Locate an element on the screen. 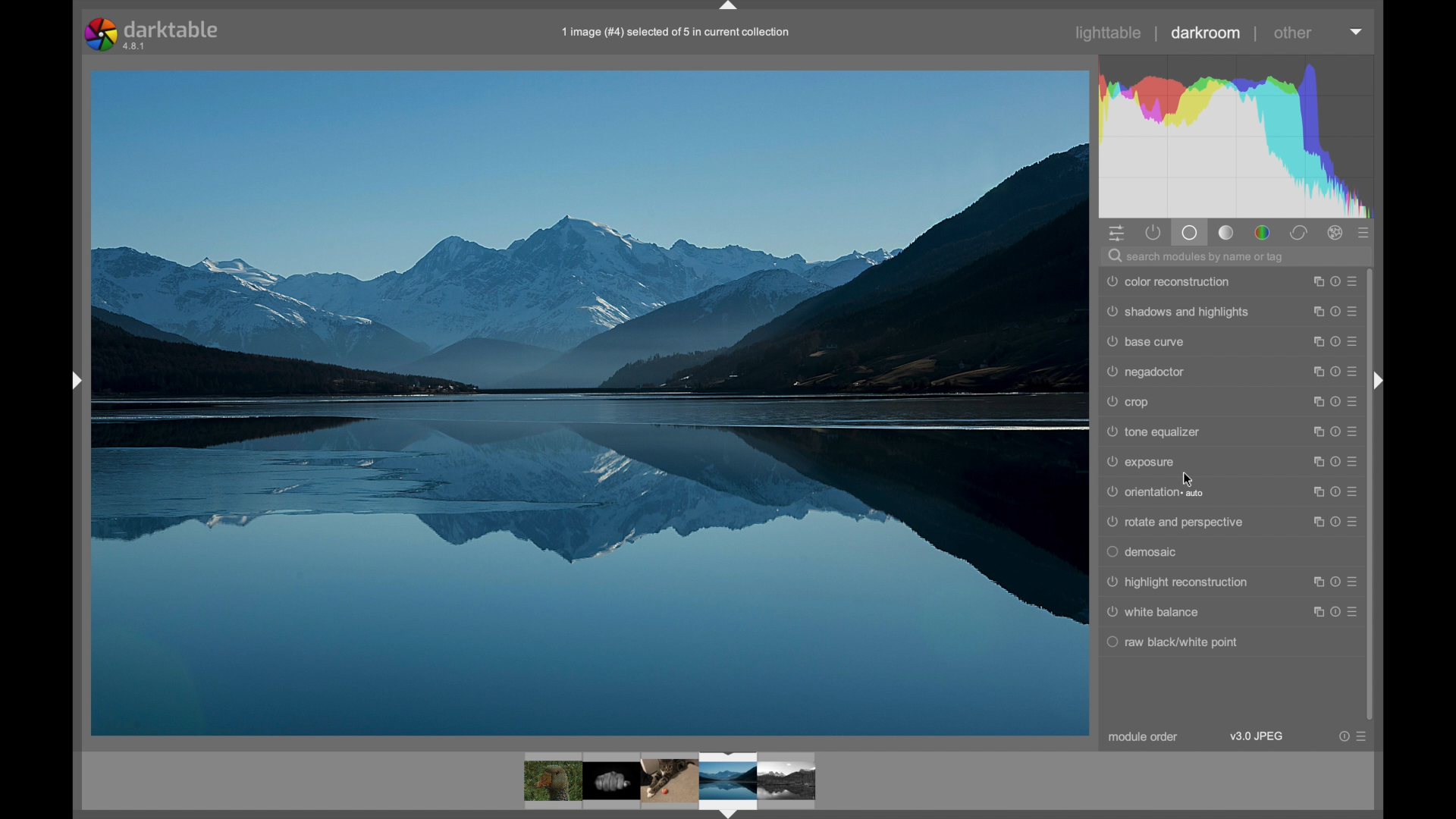  module order is located at coordinates (1144, 737).